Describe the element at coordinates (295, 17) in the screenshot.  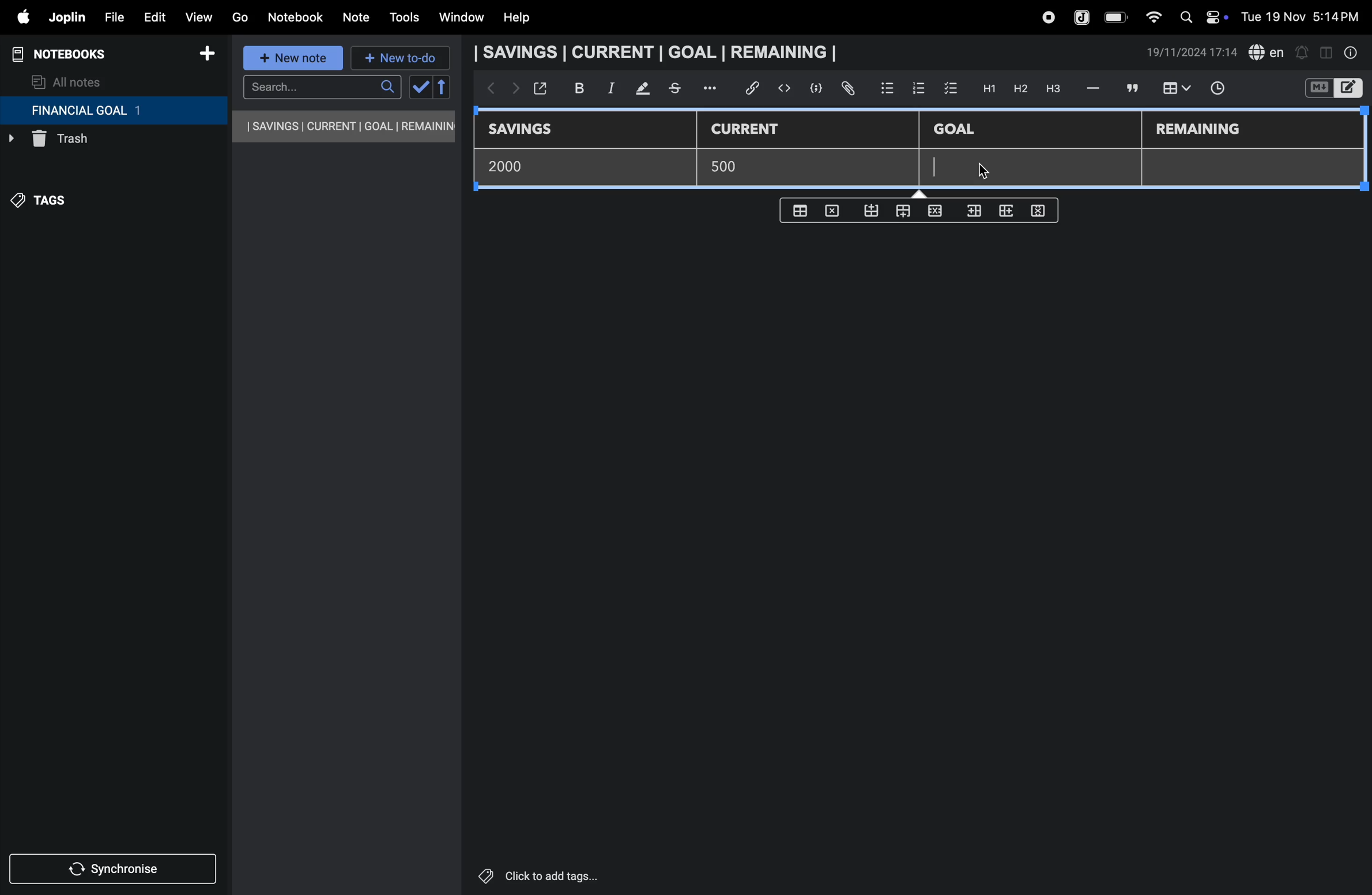
I see `notebook` at that location.